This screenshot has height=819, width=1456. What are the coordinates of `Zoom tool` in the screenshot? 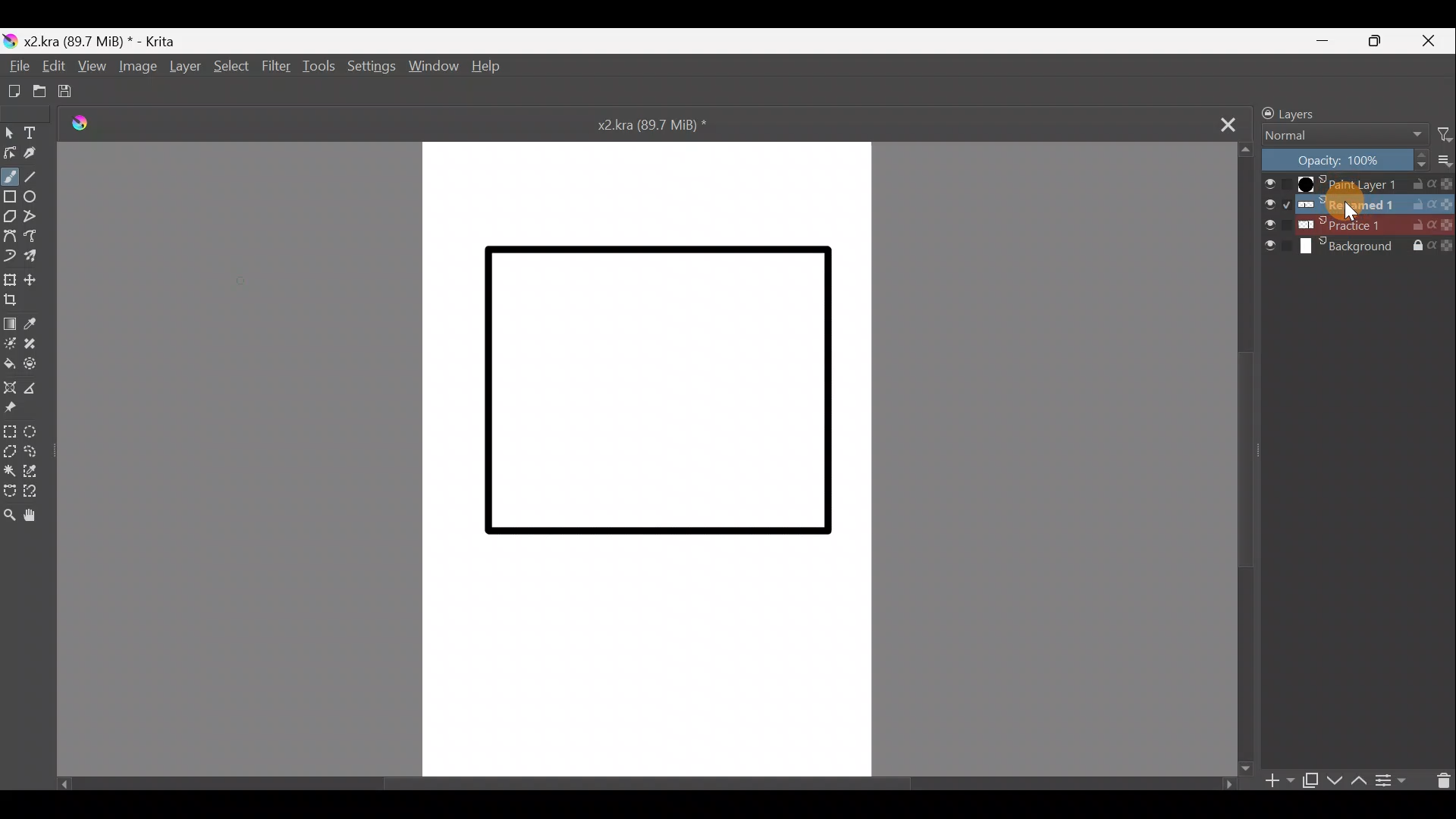 It's located at (9, 511).